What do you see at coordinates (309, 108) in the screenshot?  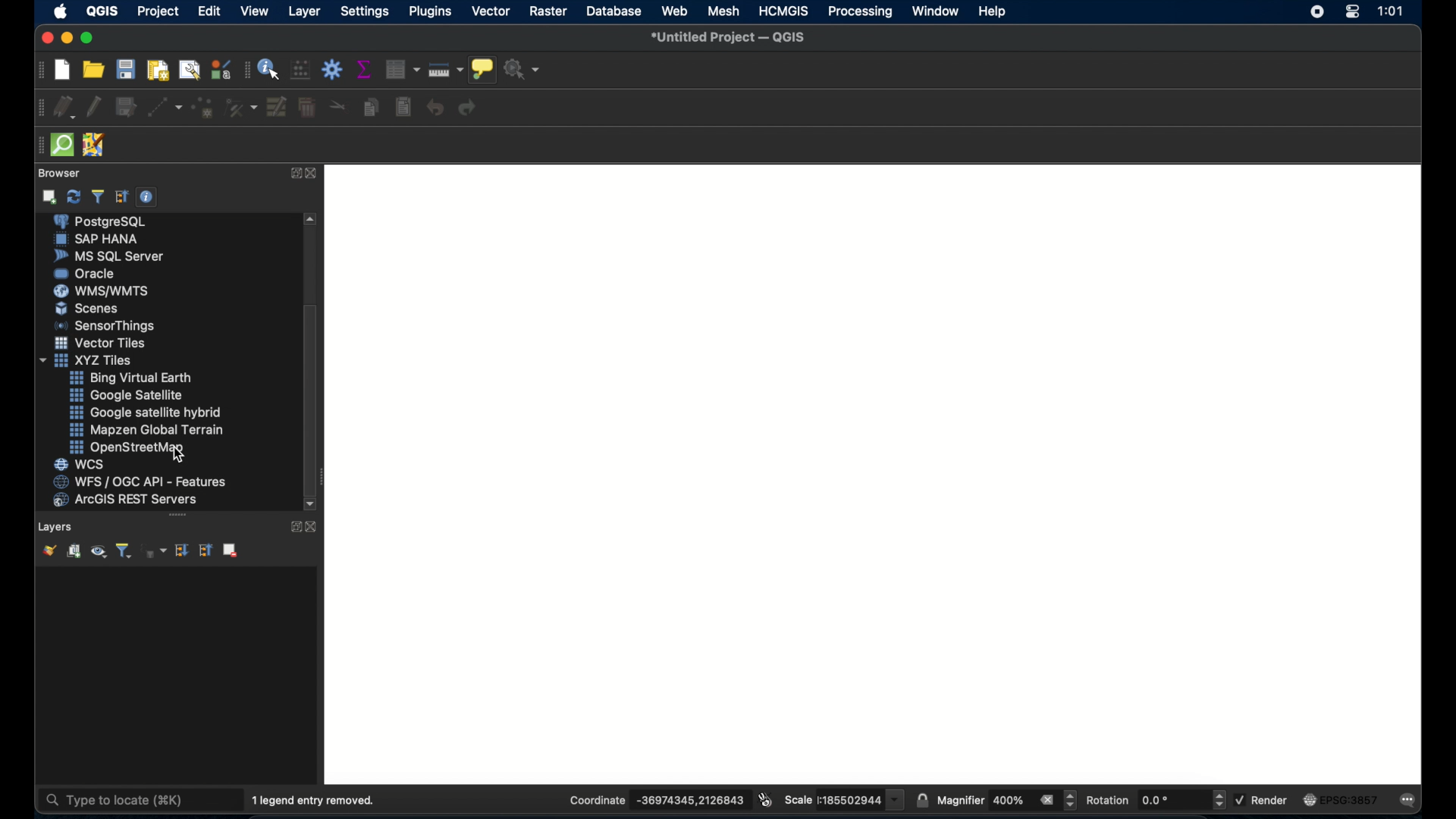 I see `delete selected` at bounding box center [309, 108].